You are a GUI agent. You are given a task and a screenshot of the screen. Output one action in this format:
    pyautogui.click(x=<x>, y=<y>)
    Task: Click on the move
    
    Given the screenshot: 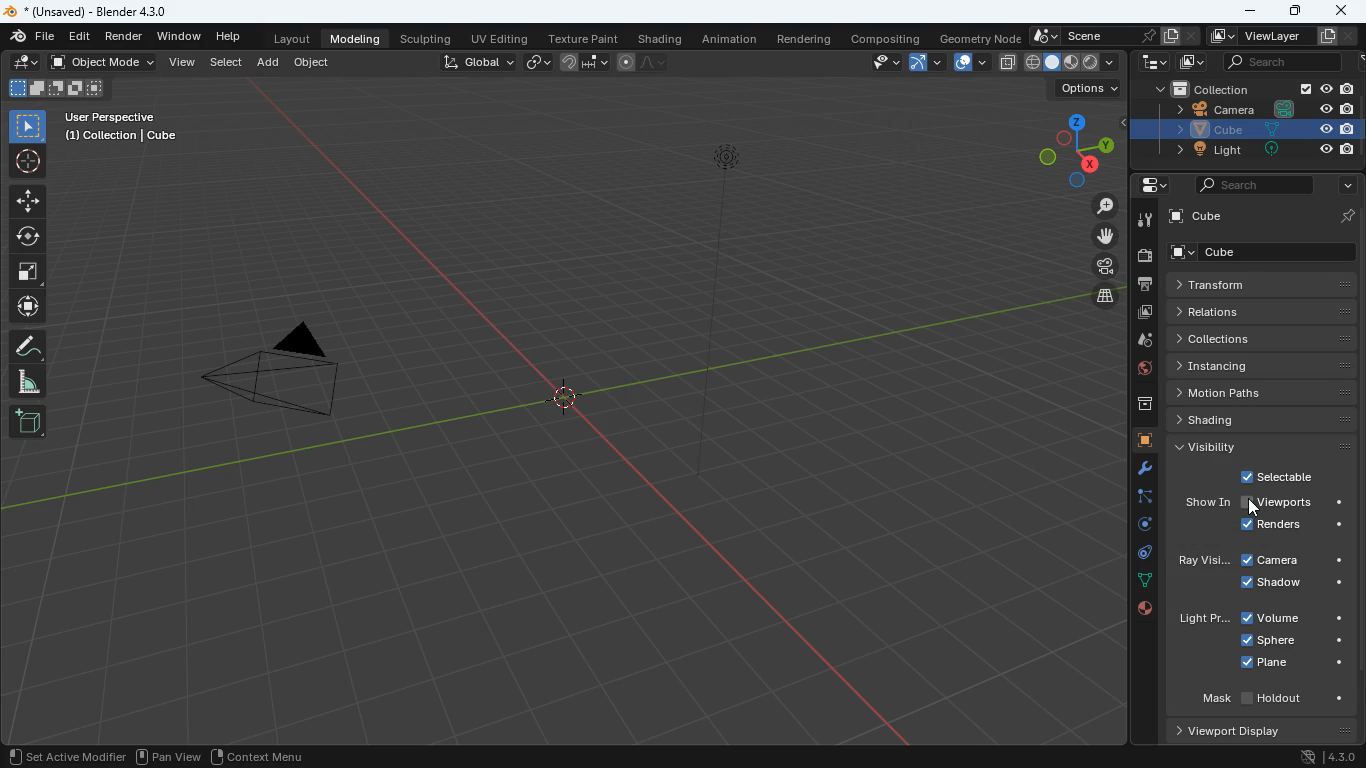 What is the action you would take?
    pyautogui.click(x=1095, y=238)
    